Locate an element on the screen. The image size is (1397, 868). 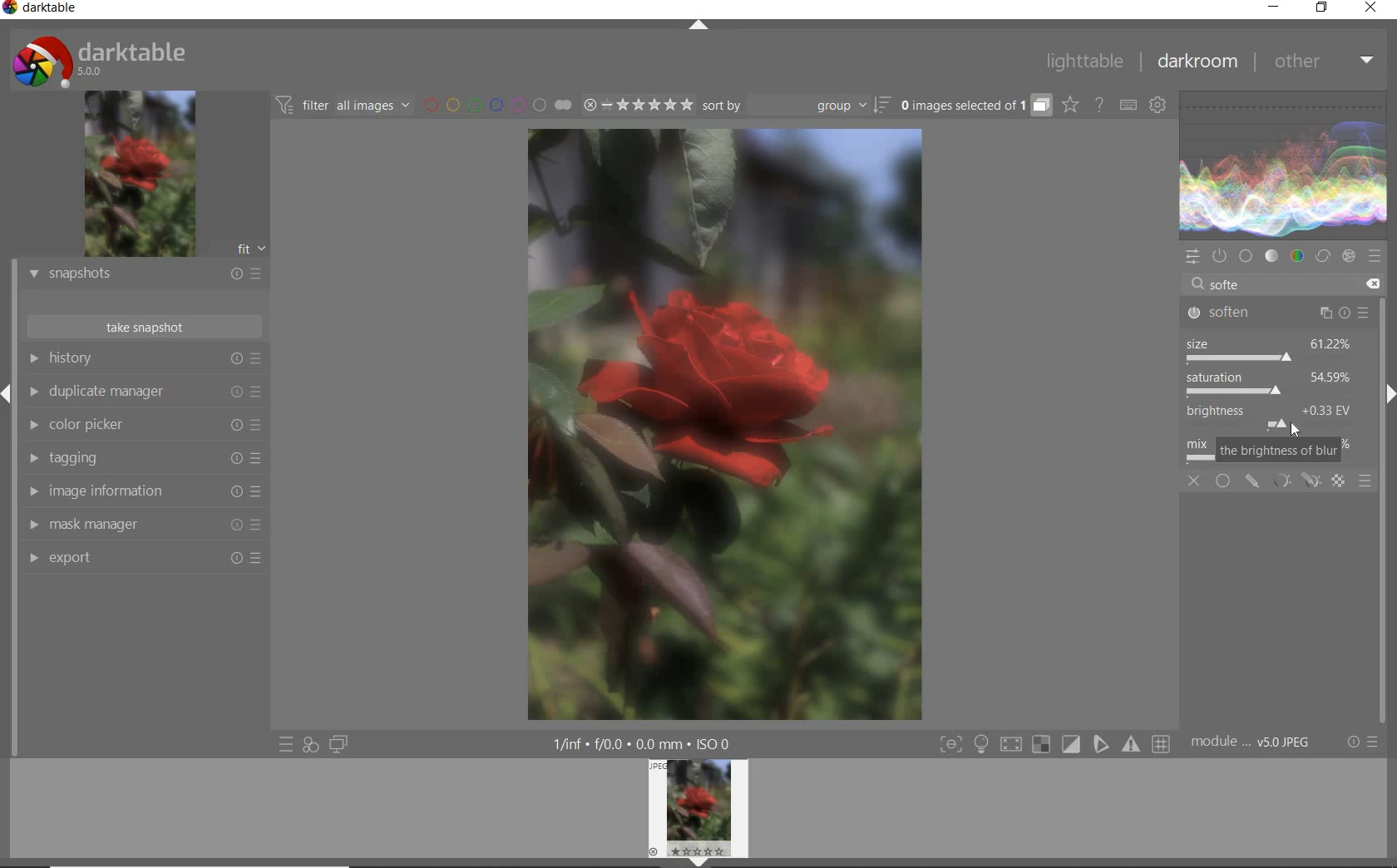
enable online help is located at coordinates (1100, 105).